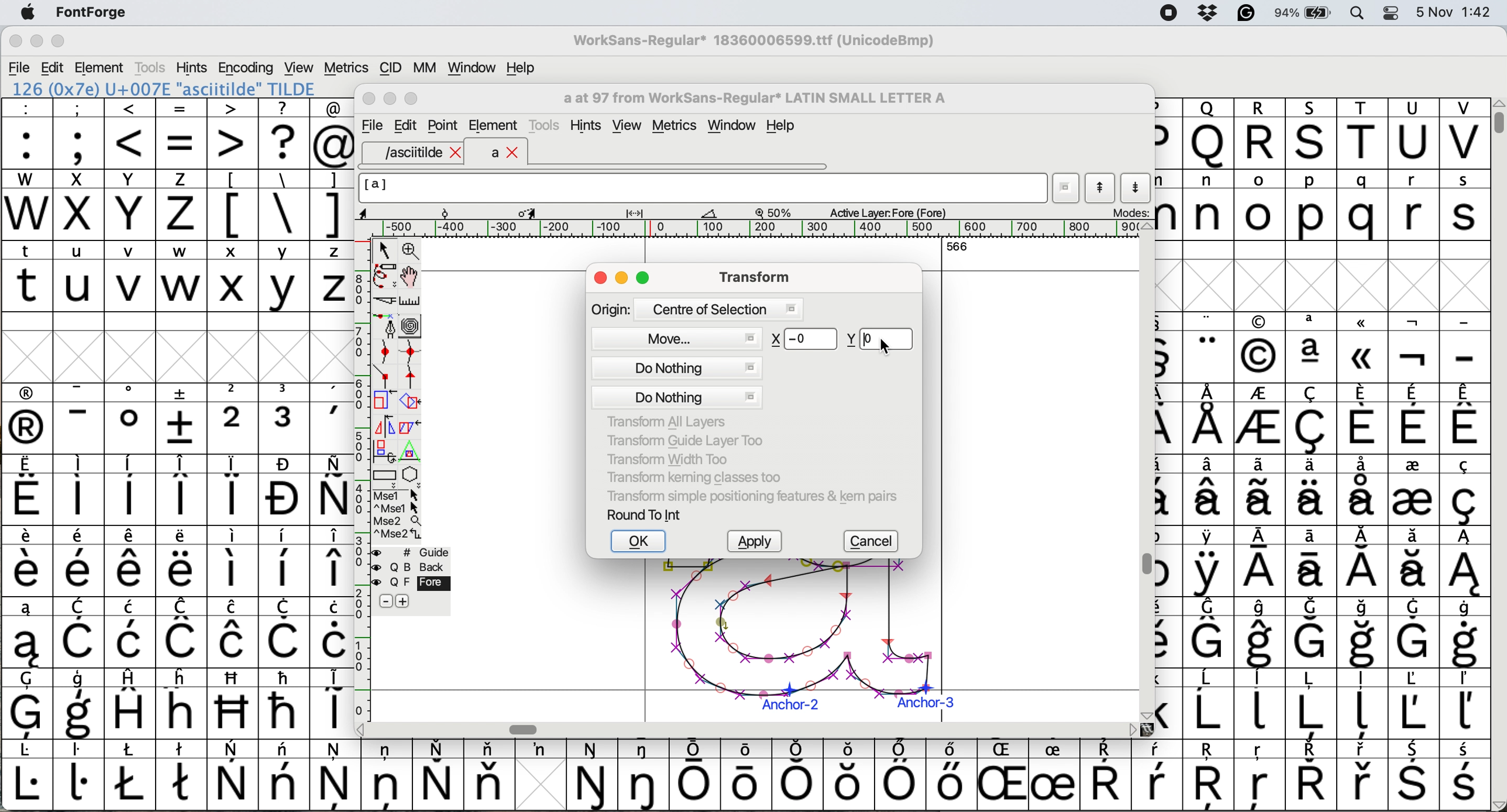 Image resolution: width=1507 pixels, height=812 pixels. I want to click on symbol, so click(183, 773).